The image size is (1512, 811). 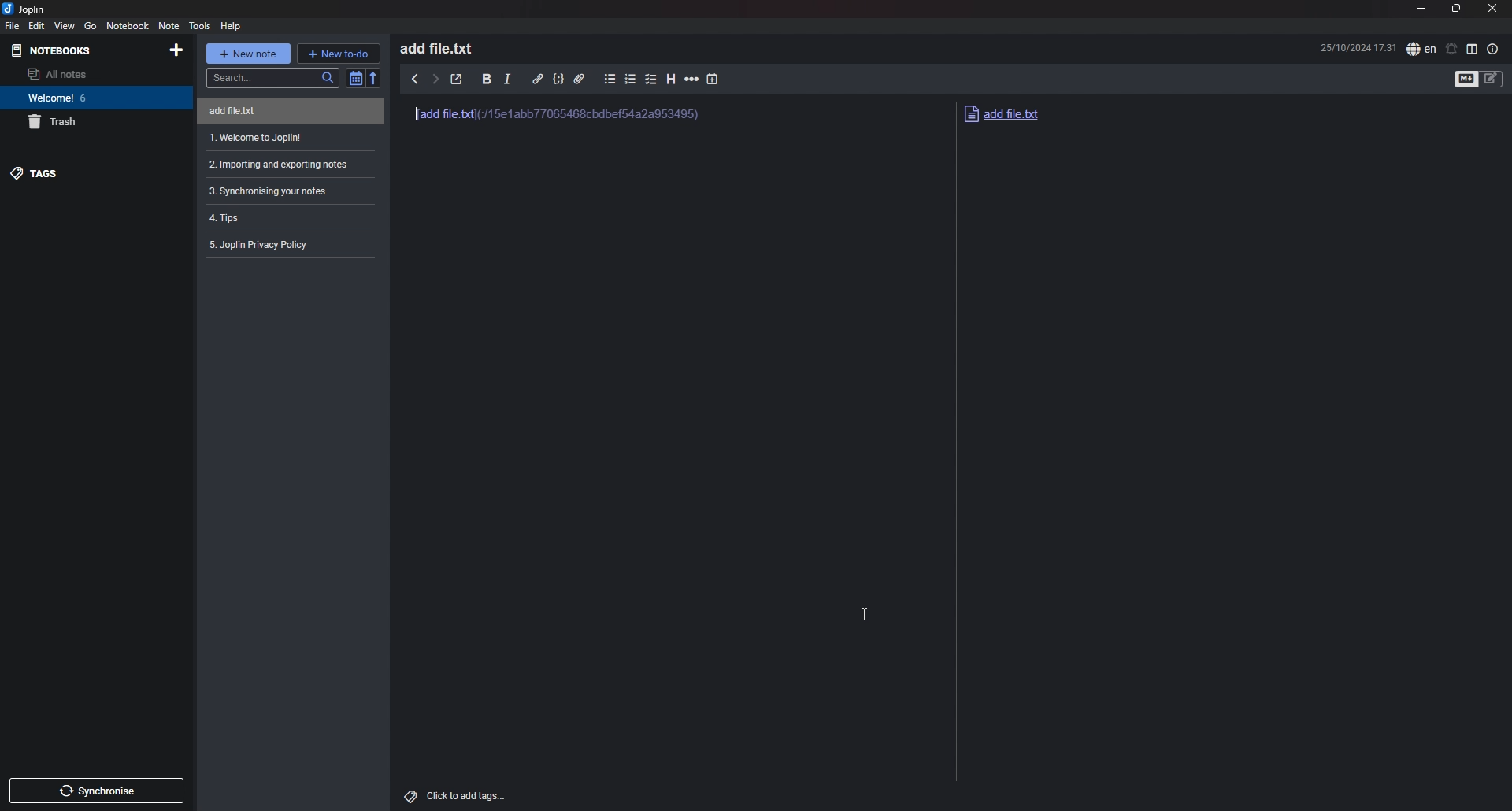 What do you see at coordinates (128, 26) in the screenshot?
I see `notebook` at bounding box center [128, 26].